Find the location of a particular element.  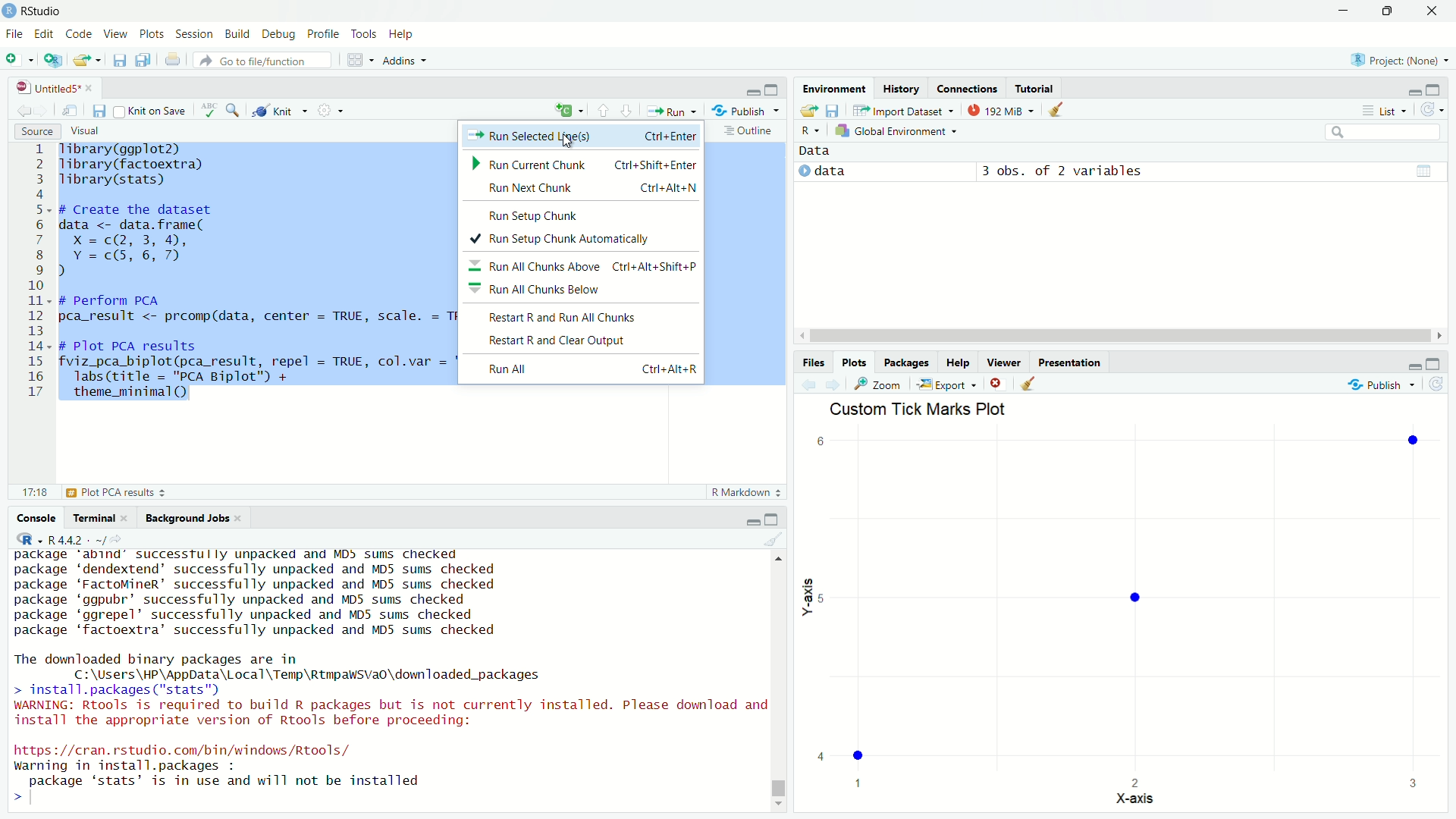

find and replace is located at coordinates (237, 110).